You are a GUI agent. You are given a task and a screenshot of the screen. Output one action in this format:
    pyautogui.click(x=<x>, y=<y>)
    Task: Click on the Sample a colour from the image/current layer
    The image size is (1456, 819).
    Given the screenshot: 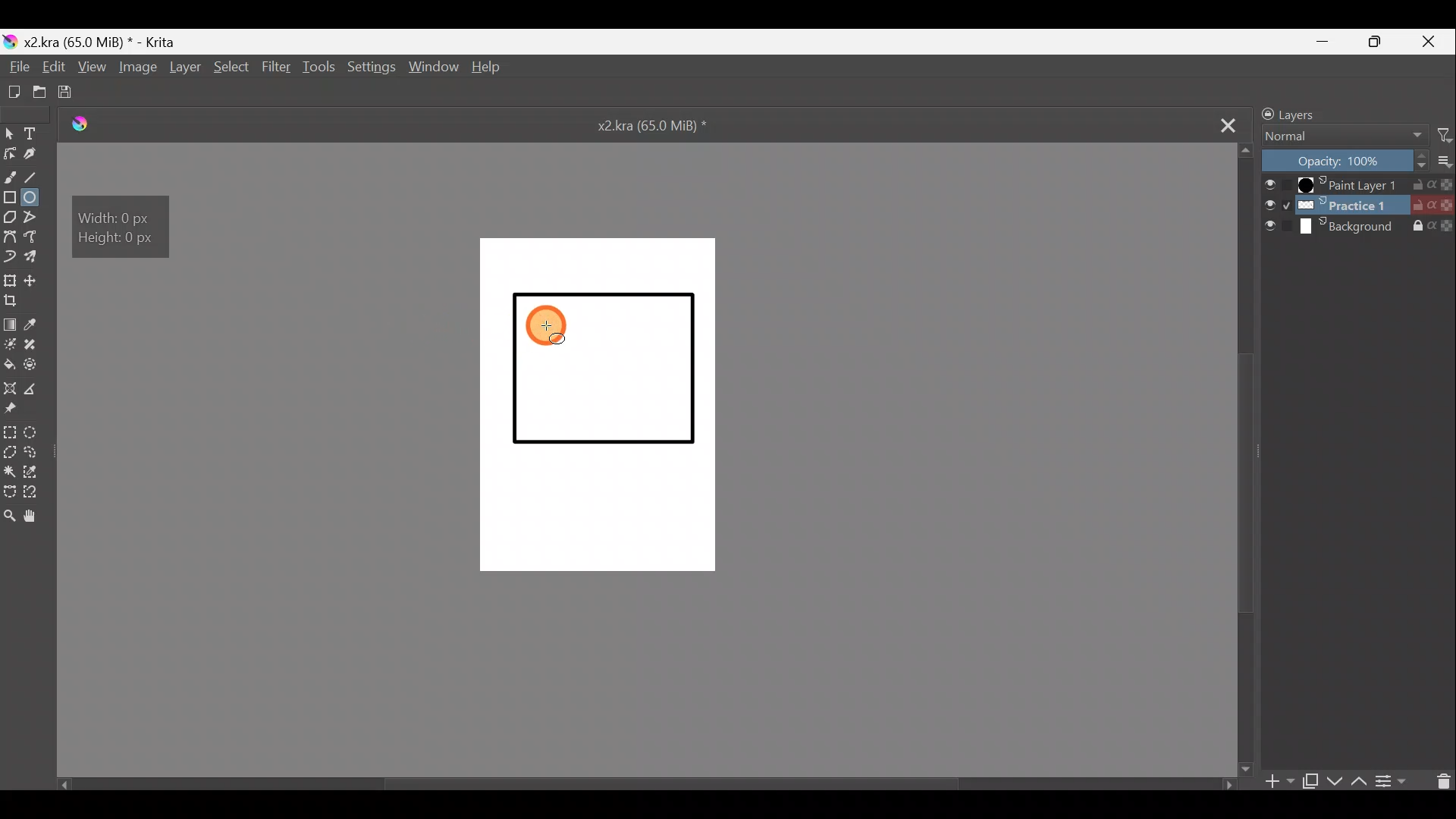 What is the action you would take?
    pyautogui.click(x=39, y=324)
    